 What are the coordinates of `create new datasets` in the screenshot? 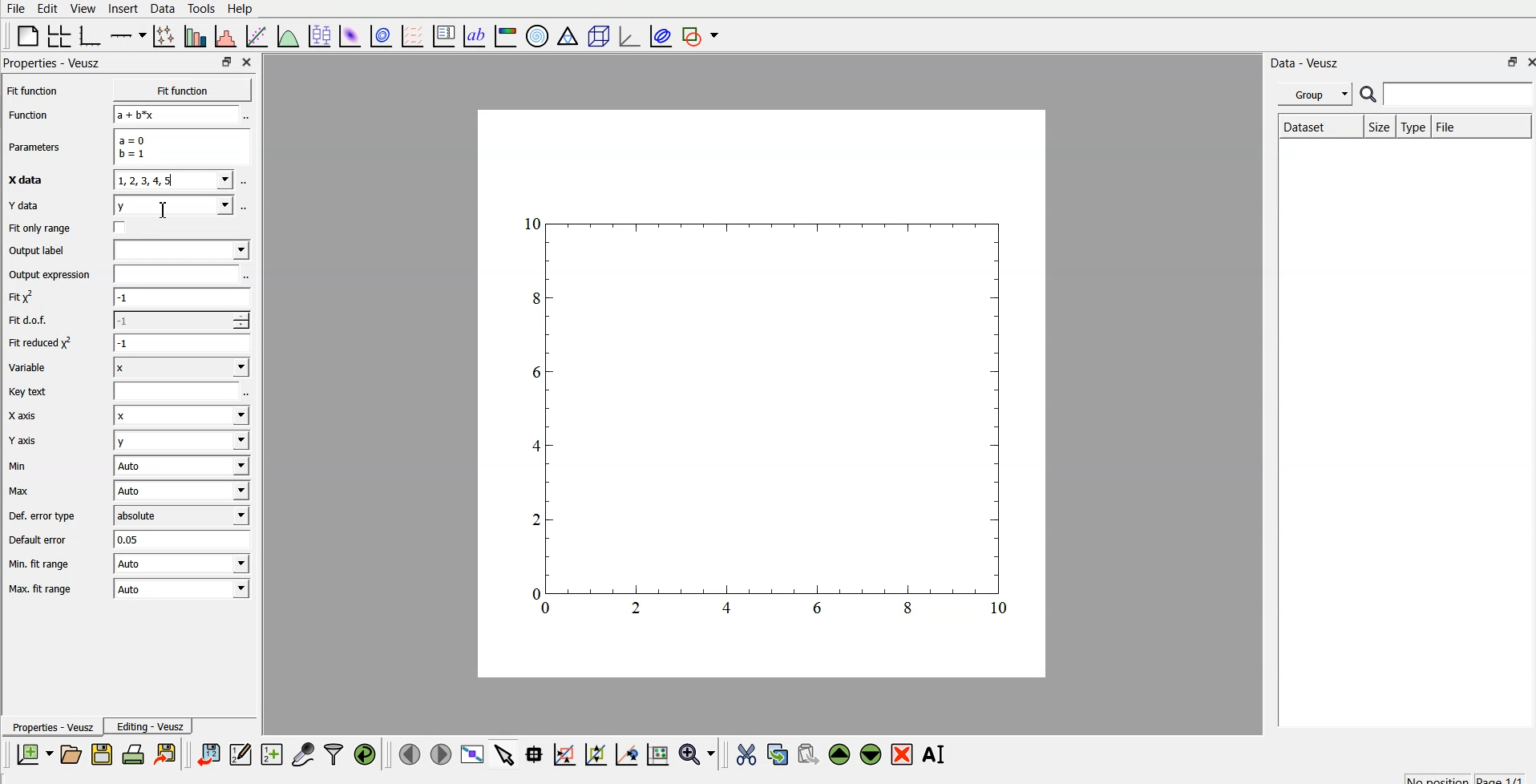 It's located at (270, 754).